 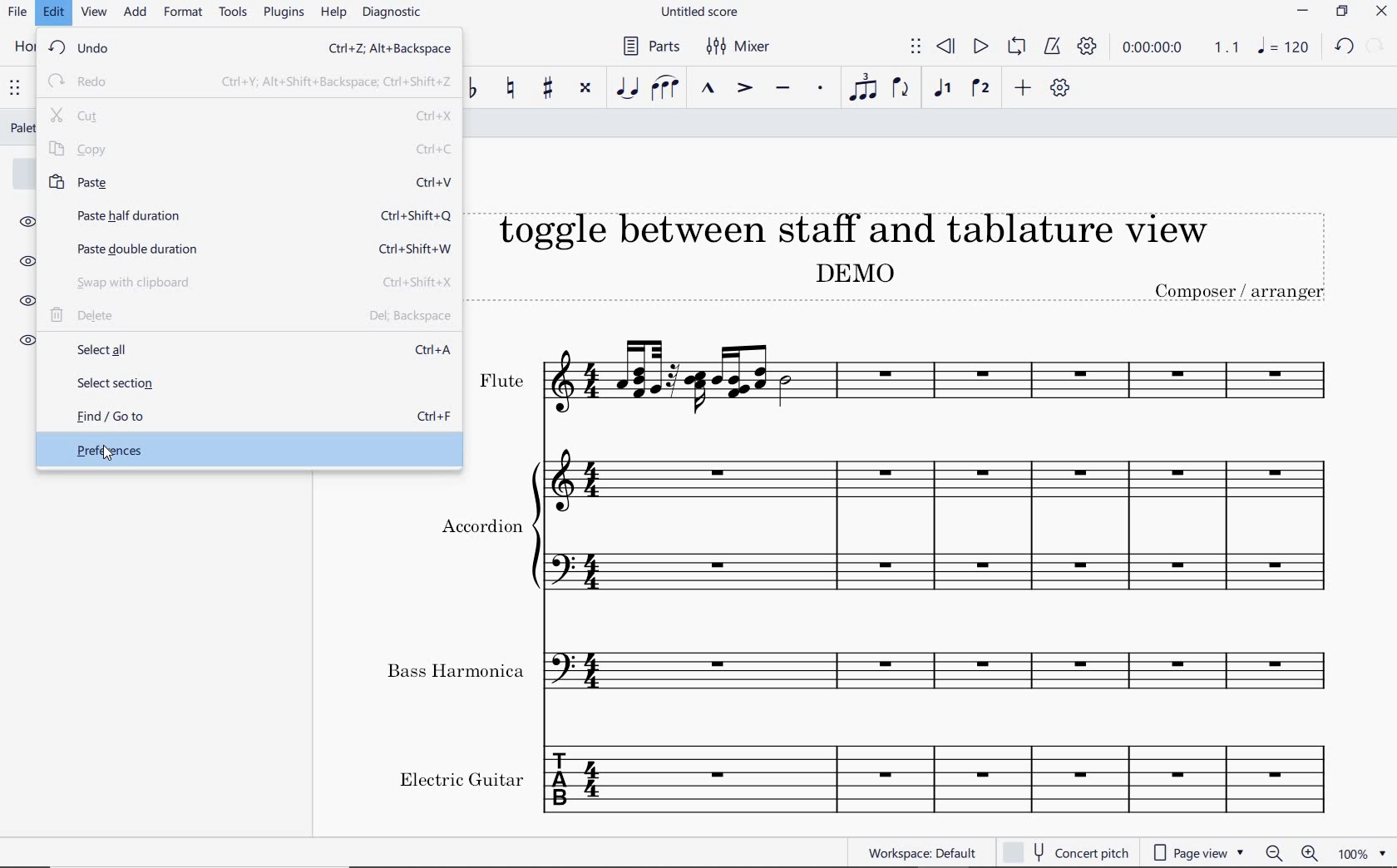 I want to click on Playback speed, so click(x=1228, y=49).